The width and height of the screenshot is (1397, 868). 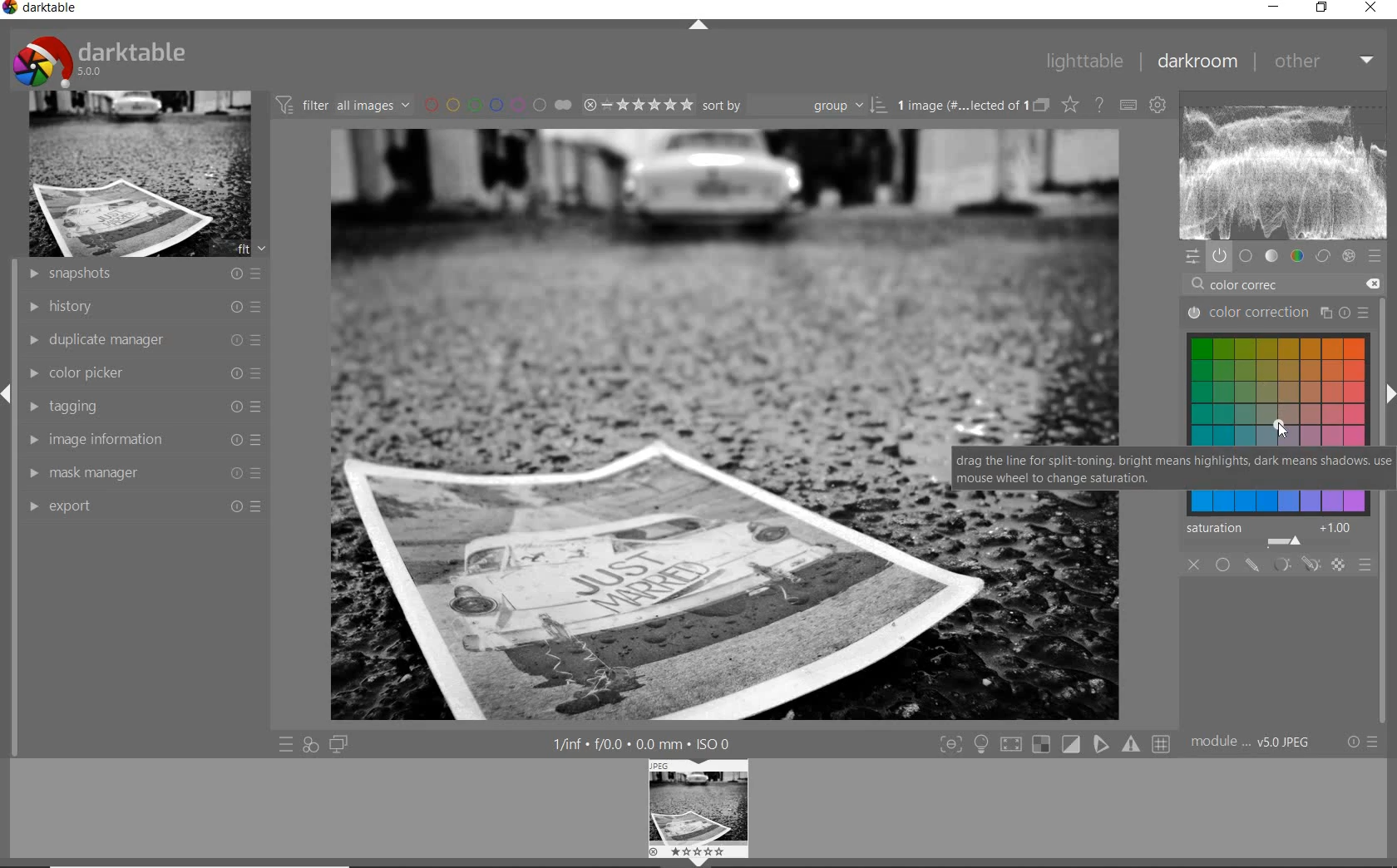 What do you see at coordinates (1365, 565) in the screenshot?
I see `blending options` at bounding box center [1365, 565].